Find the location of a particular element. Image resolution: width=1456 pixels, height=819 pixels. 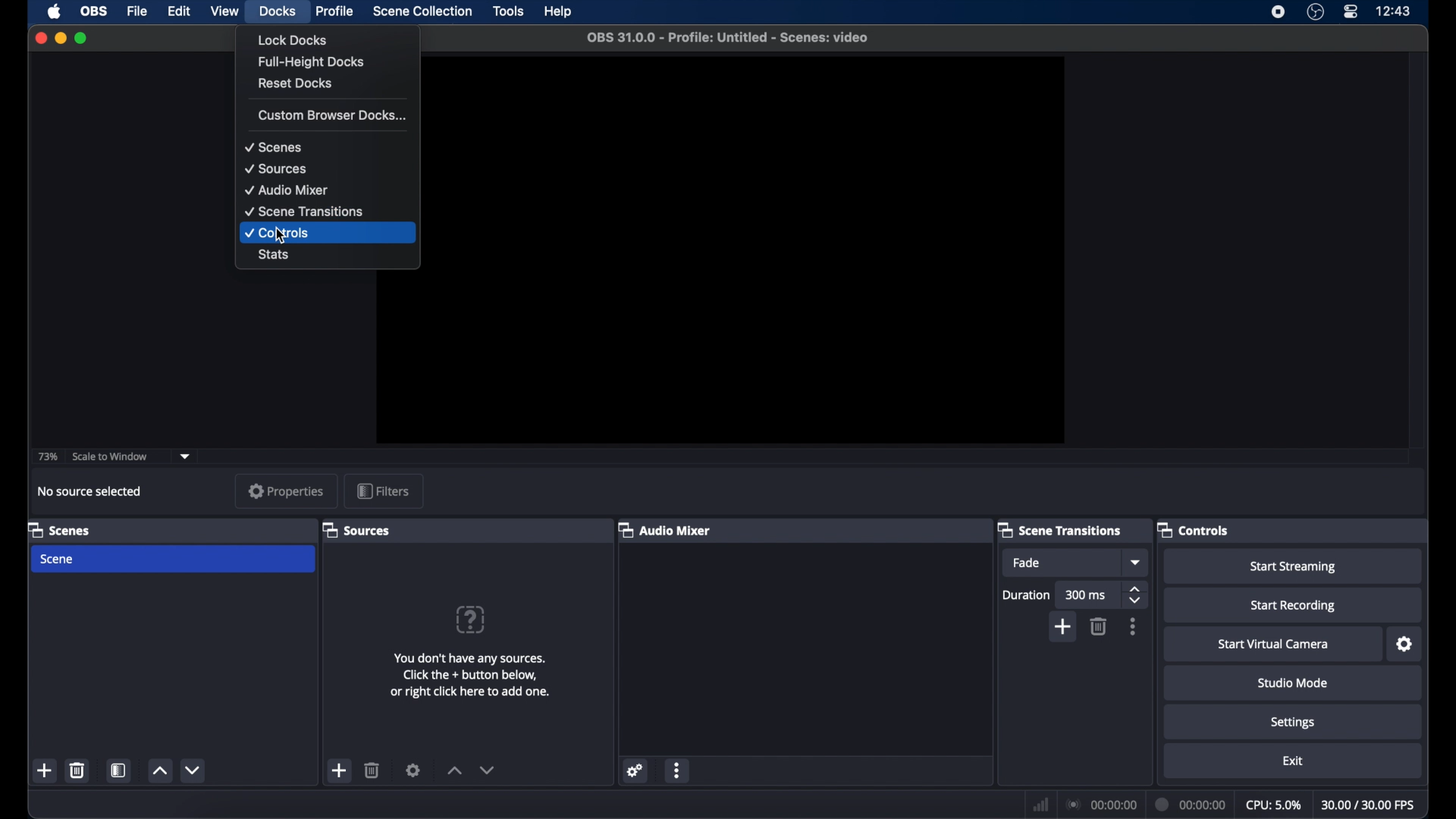

edit is located at coordinates (178, 11).